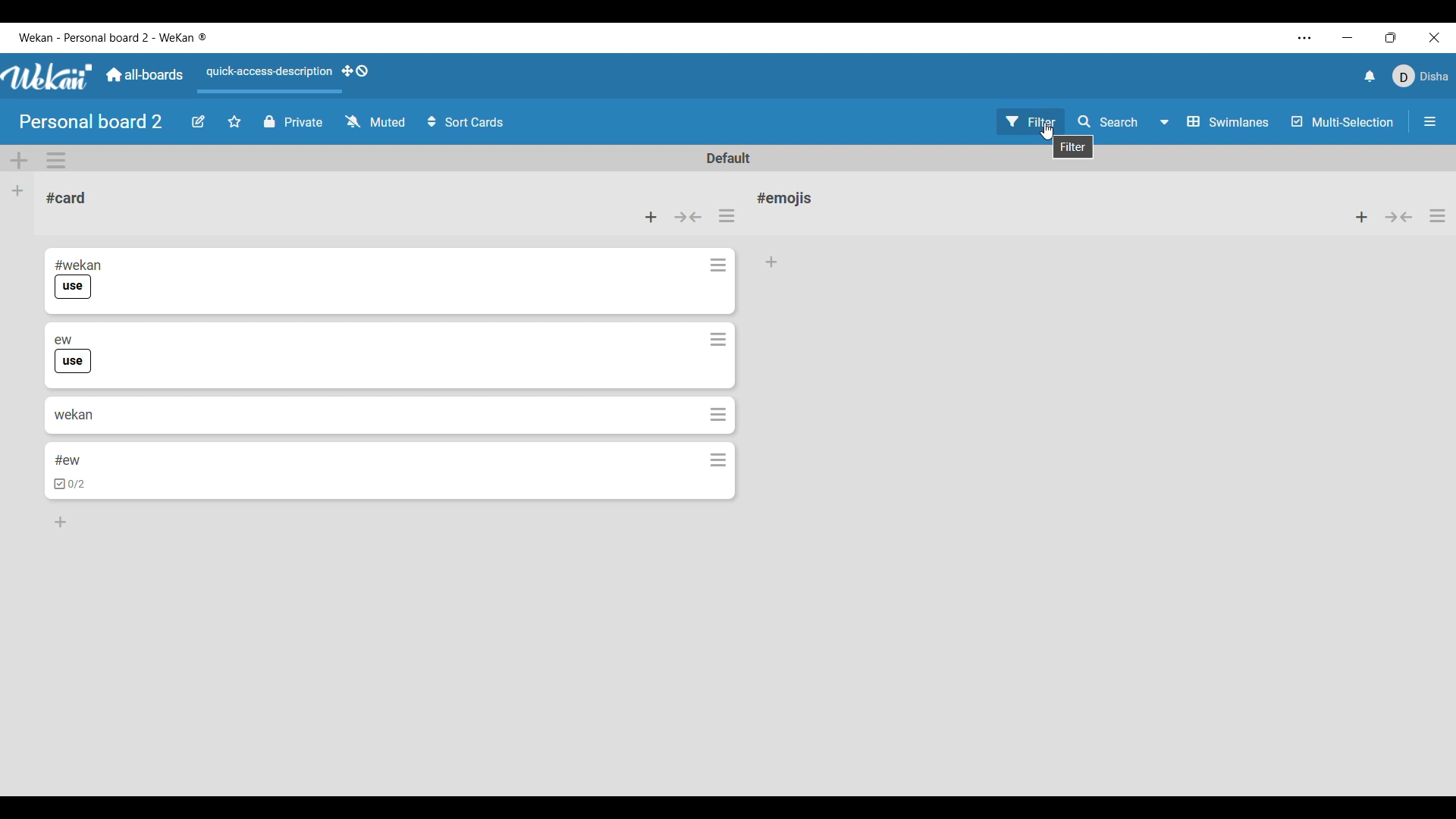 This screenshot has height=819, width=1456. What do you see at coordinates (1435, 37) in the screenshot?
I see `Close interface ` at bounding box center [1435, 37].